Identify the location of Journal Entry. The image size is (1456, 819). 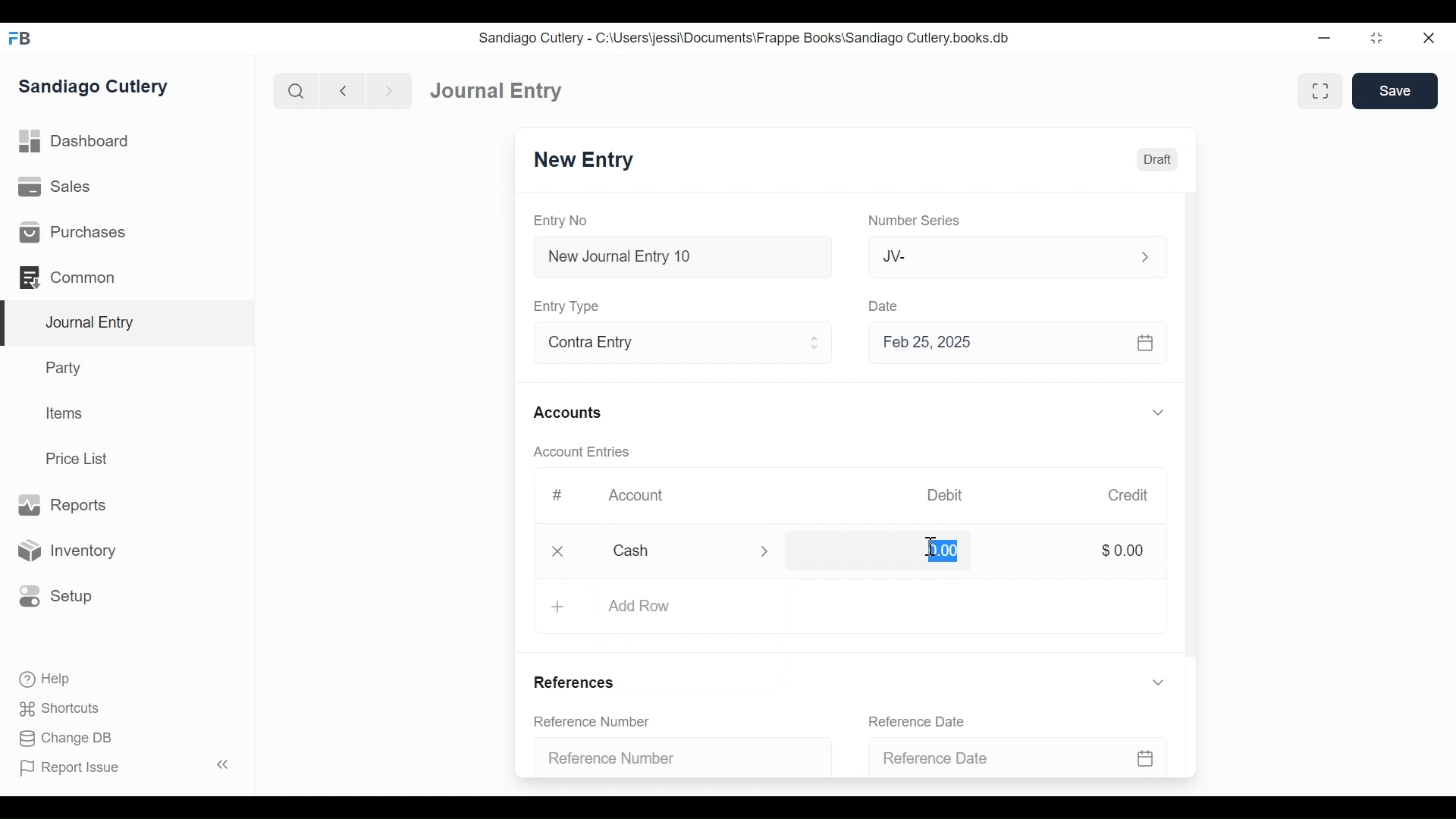
(499, 92).